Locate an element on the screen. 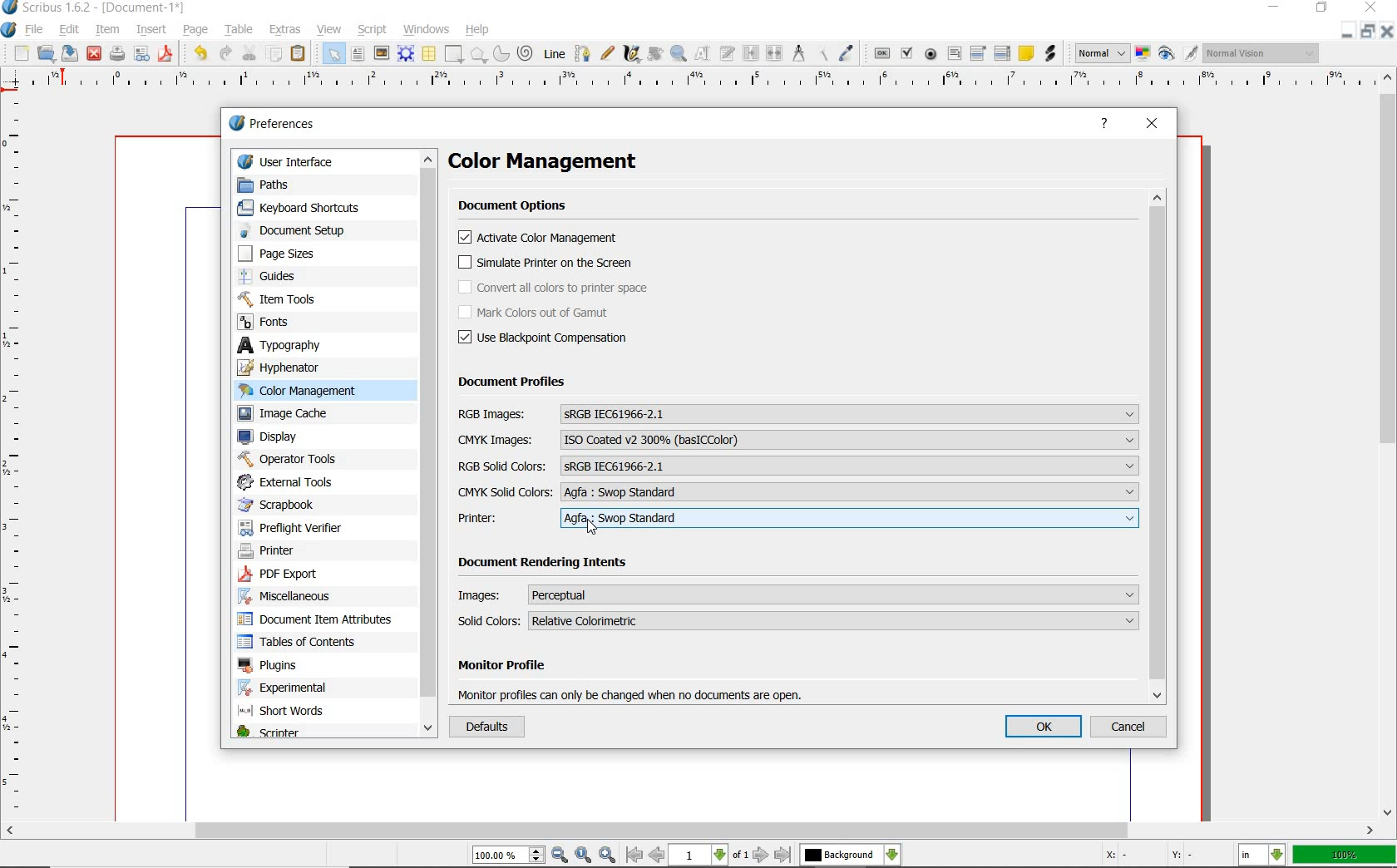 This screenshot has height=868, width=1397. color management is located at coordinates (564, 163).